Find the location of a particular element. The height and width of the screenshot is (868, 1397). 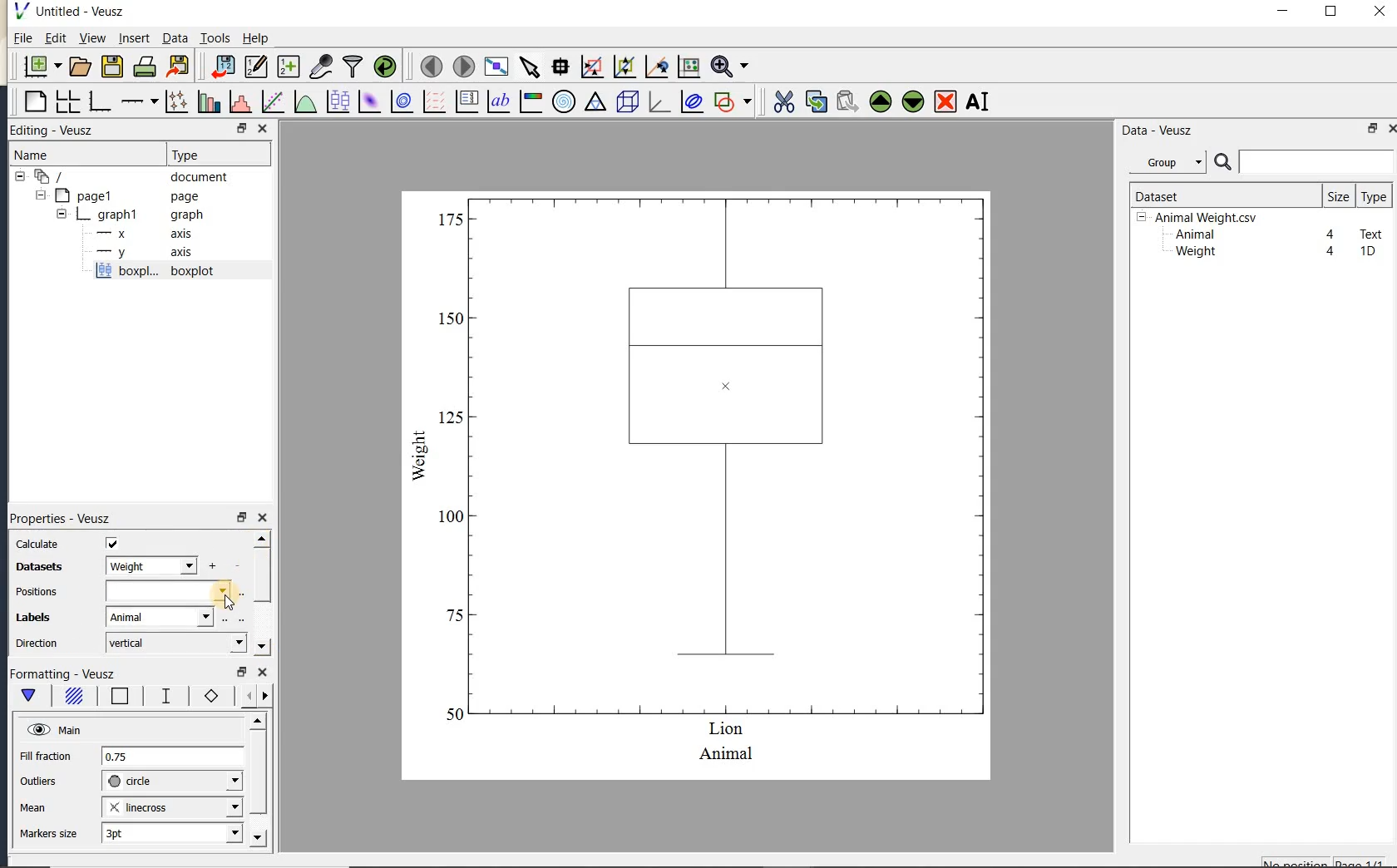

select items from the graph or scroll is located at coordinates (531, 67).